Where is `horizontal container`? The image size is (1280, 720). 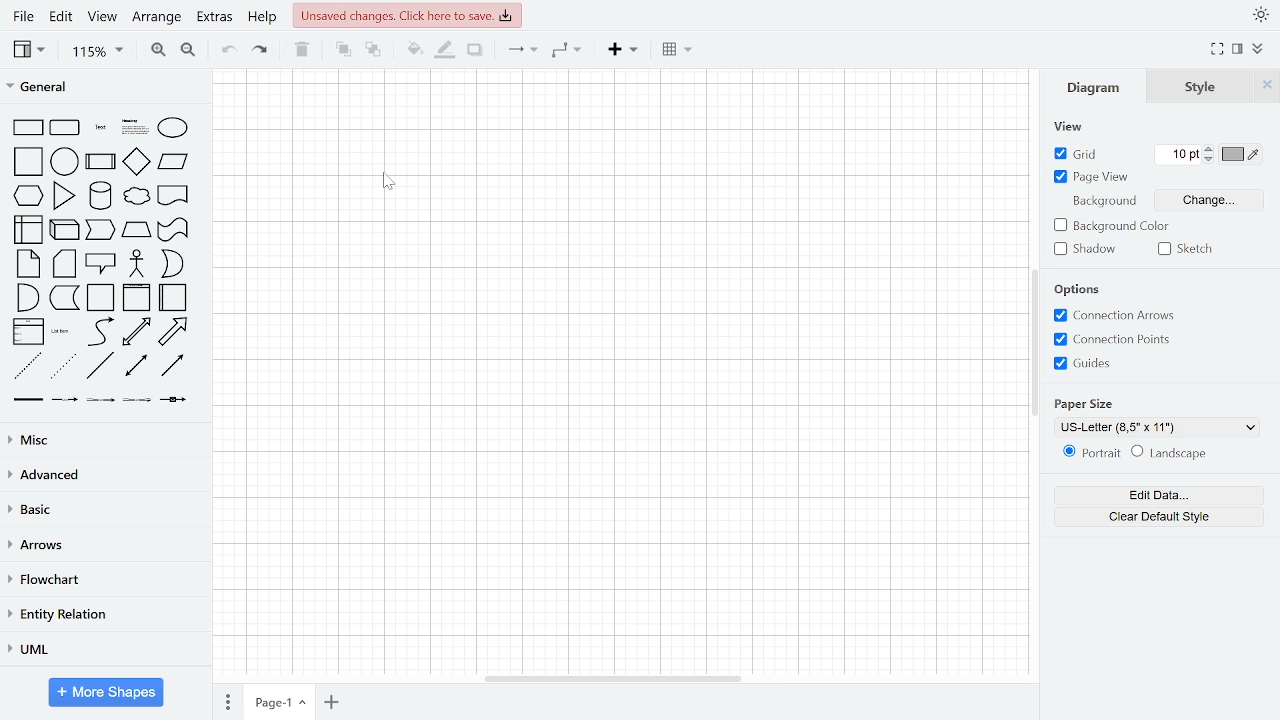
horizontal container is located at coordinates (173, 298).